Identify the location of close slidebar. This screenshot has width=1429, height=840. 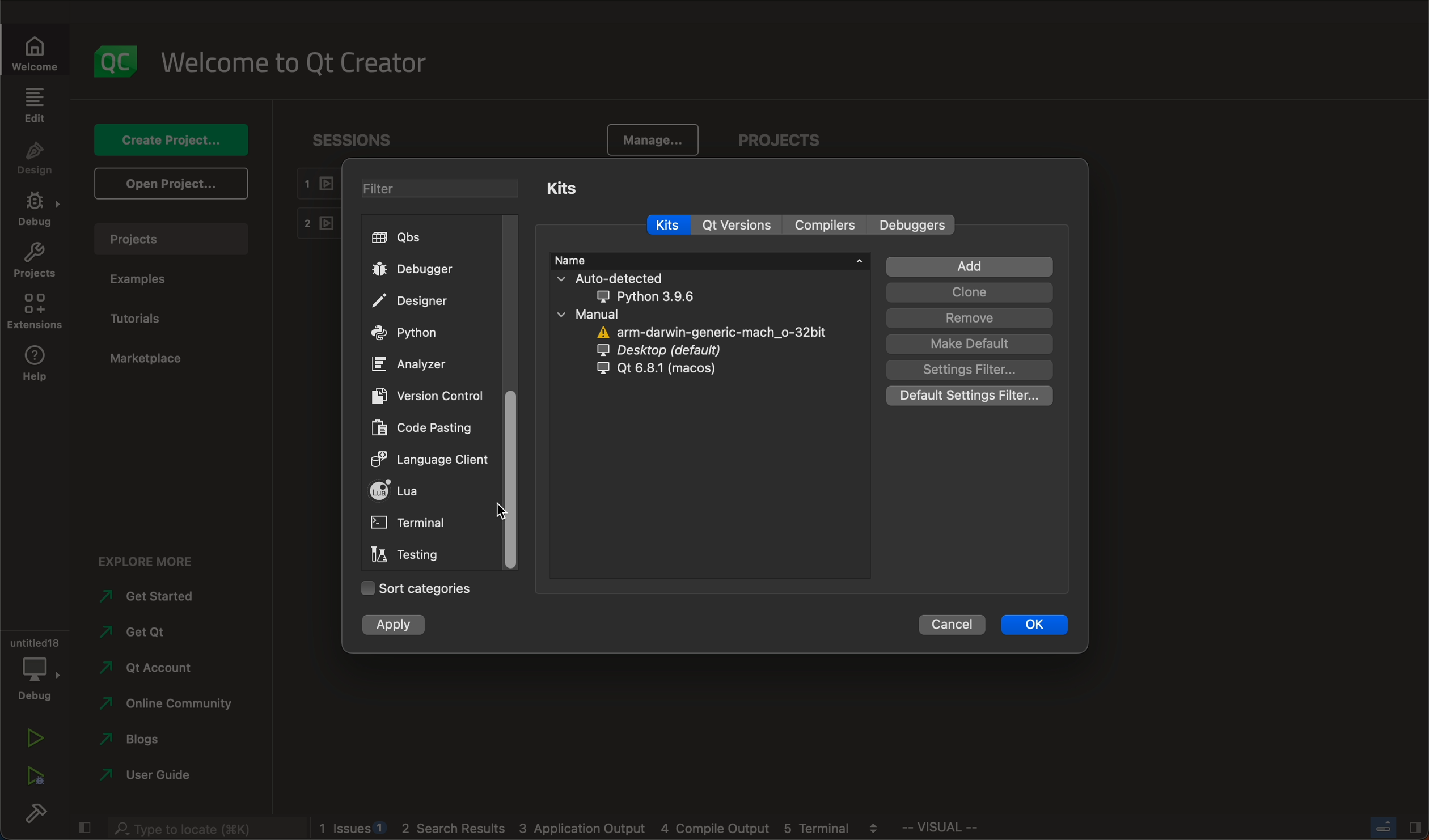
(84, 828).